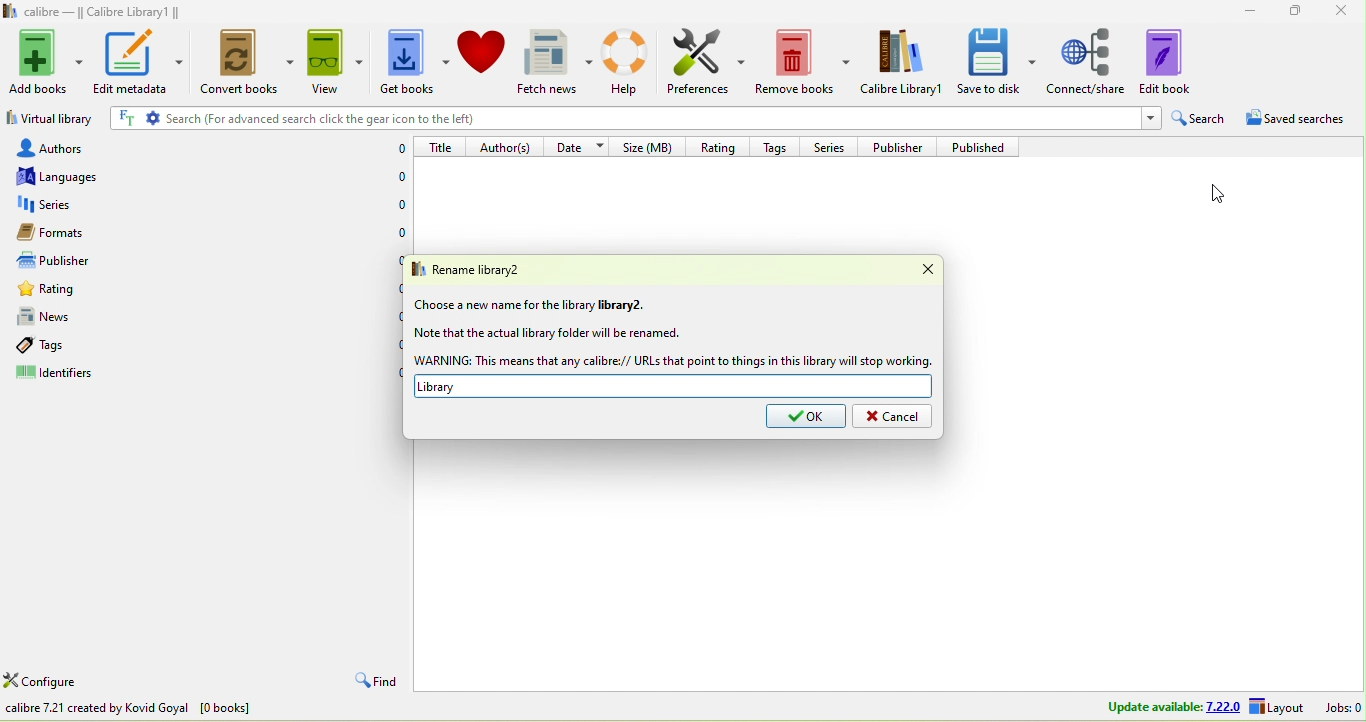 The image size is (1366, 722). Describe the element at coordinates (673, 361) in the screenshot. I see `warning: this means that any calibre/ urls that point to things in this library will stop working.` at that location.